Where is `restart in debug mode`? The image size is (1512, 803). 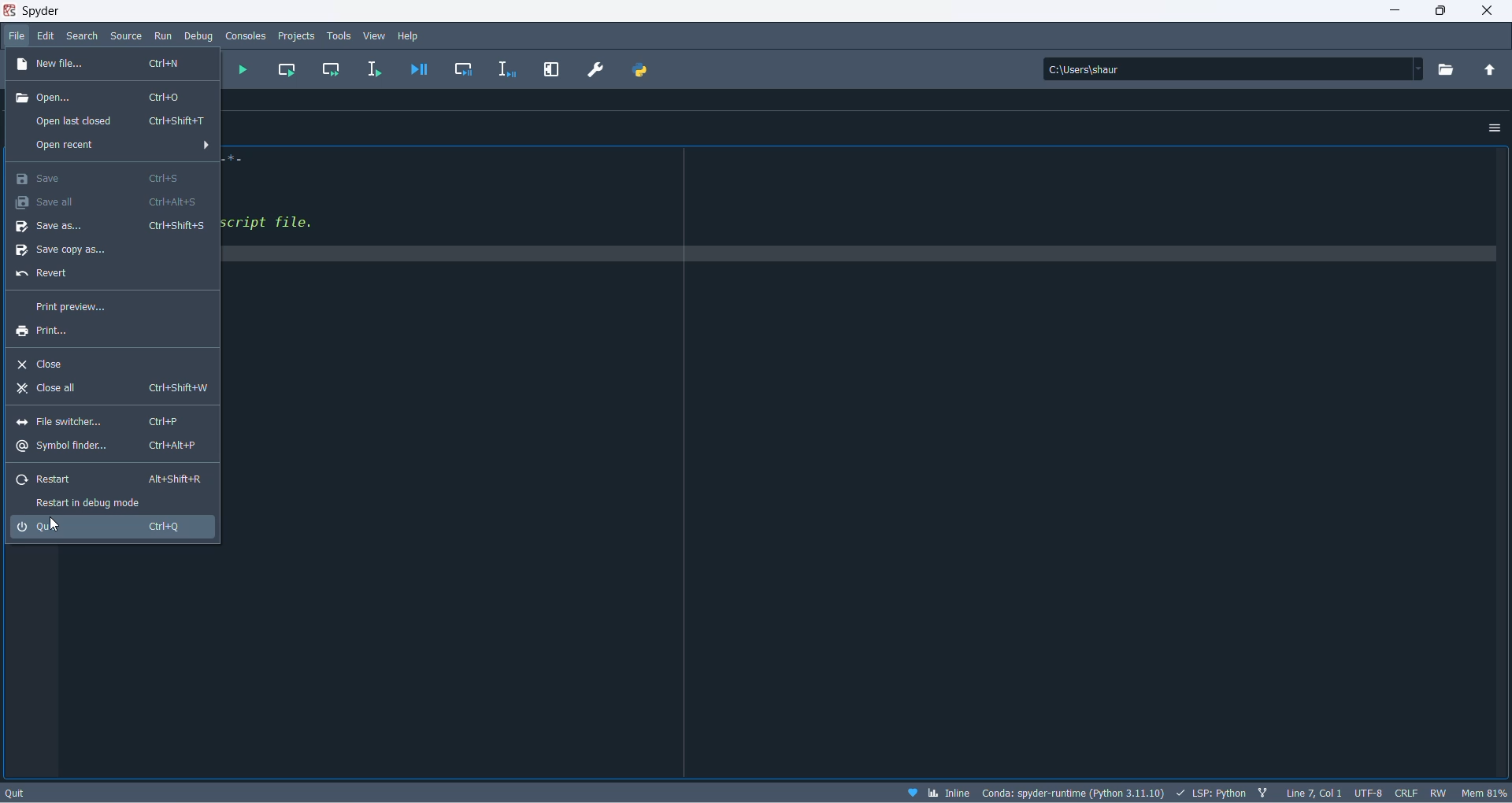
restart in debug mode is located at coordinates (108, 504).